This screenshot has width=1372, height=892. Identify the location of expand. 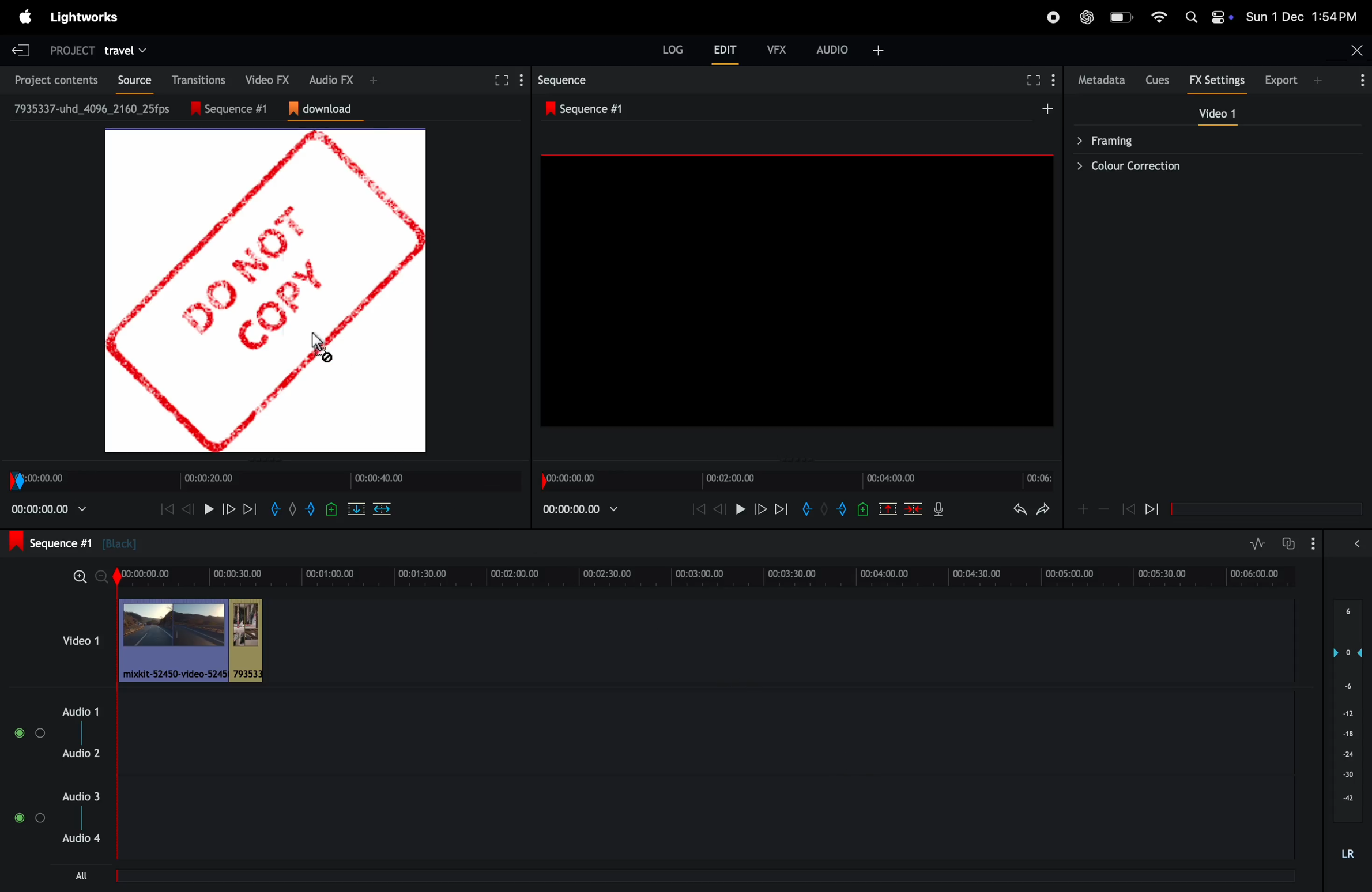
(1357, 543).